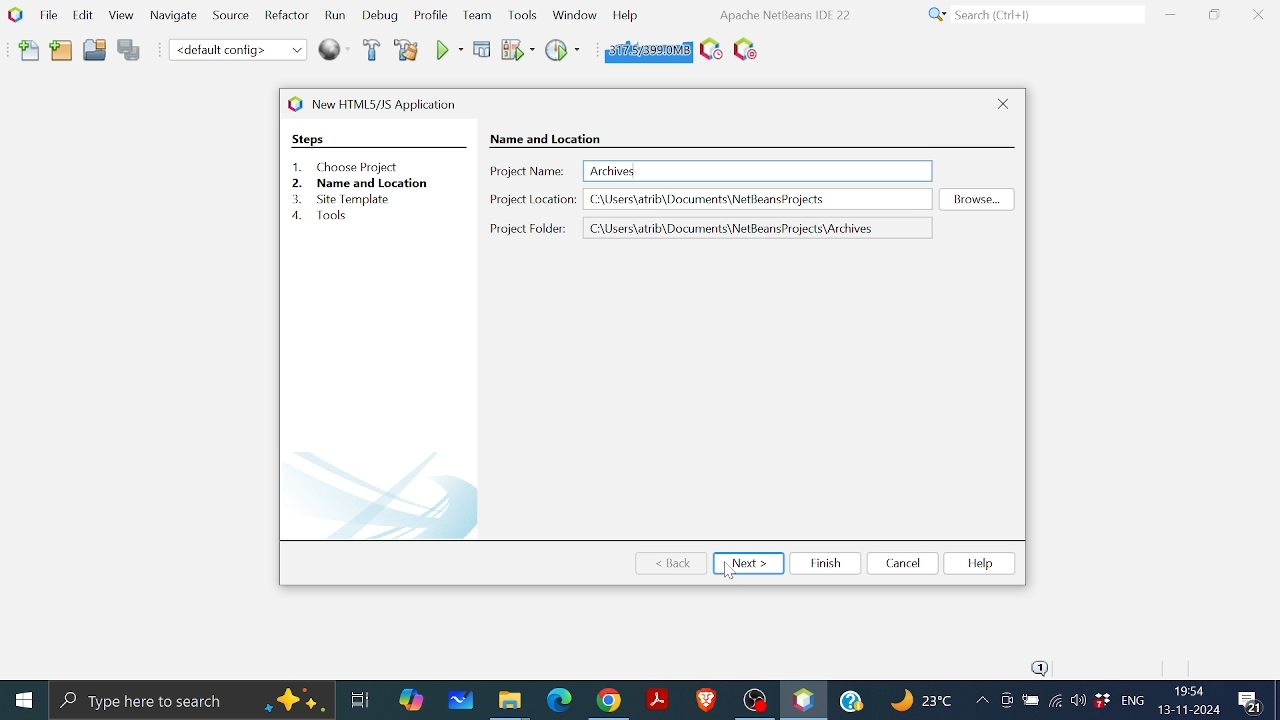 The width and height of the screenshot is (1280, 720). I want to click on Help, so click(625, 14).